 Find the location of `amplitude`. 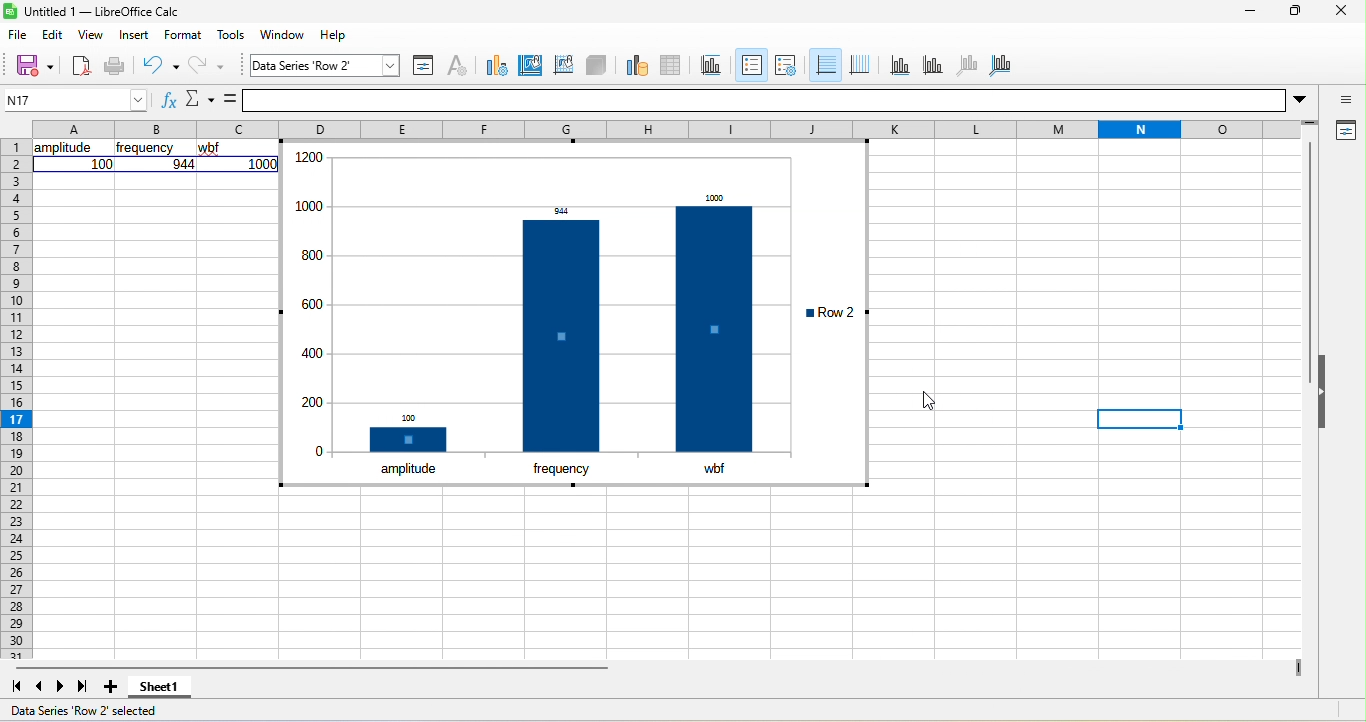

amplitude is located at coordinates (409, 467).